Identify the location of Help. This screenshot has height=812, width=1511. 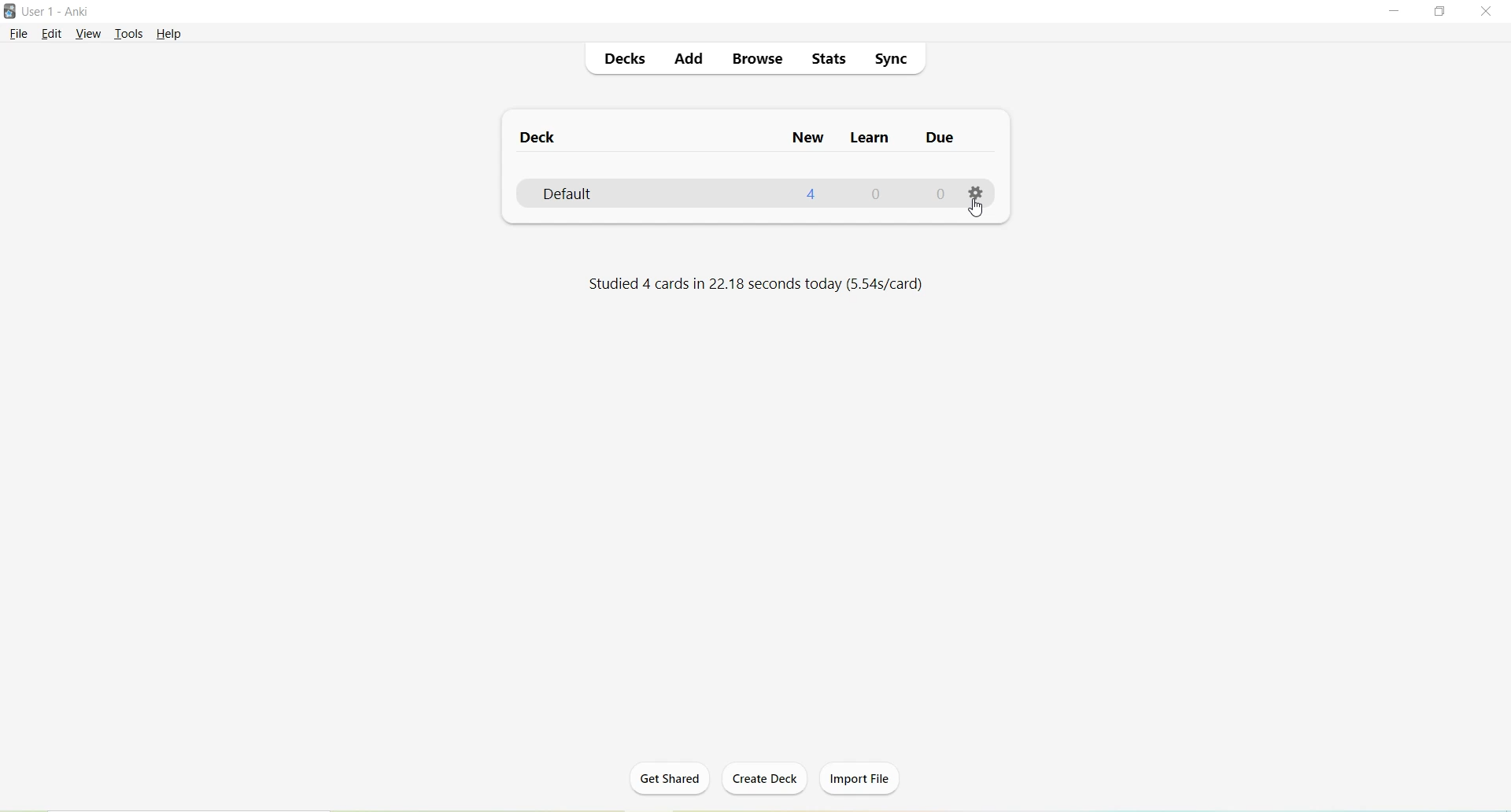
(169, 33).